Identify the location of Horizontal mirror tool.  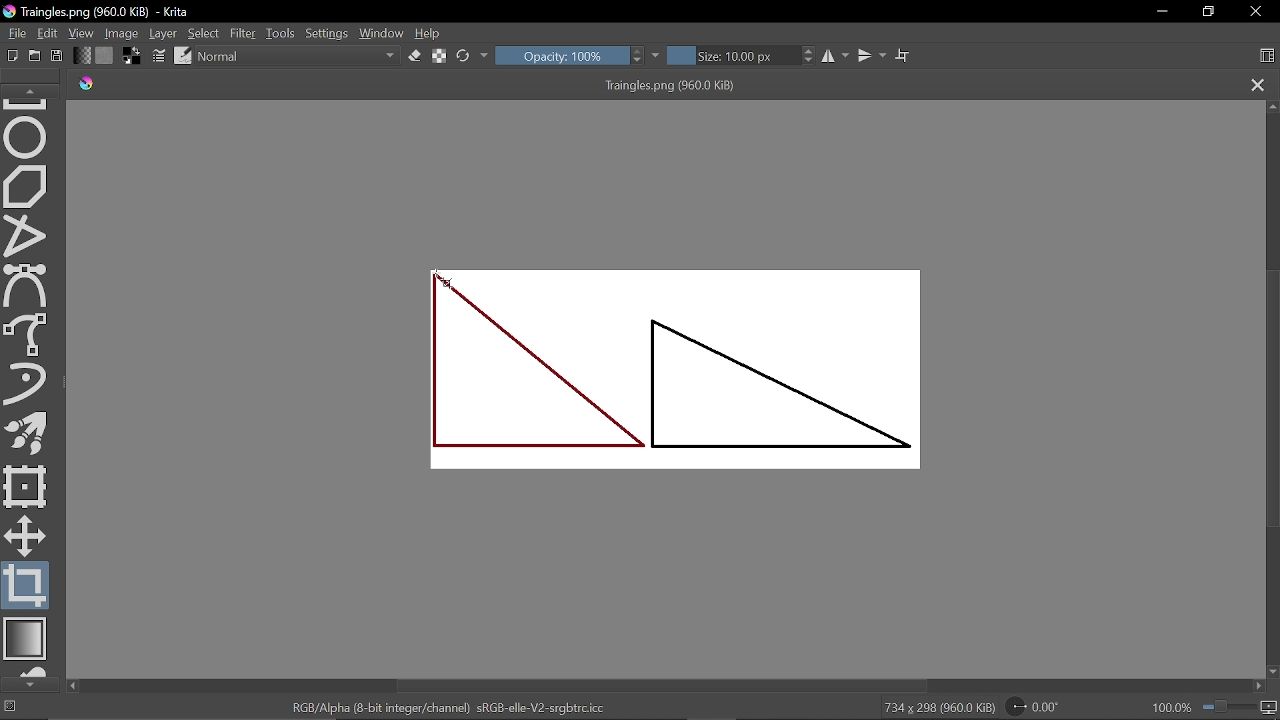
(837, 56).